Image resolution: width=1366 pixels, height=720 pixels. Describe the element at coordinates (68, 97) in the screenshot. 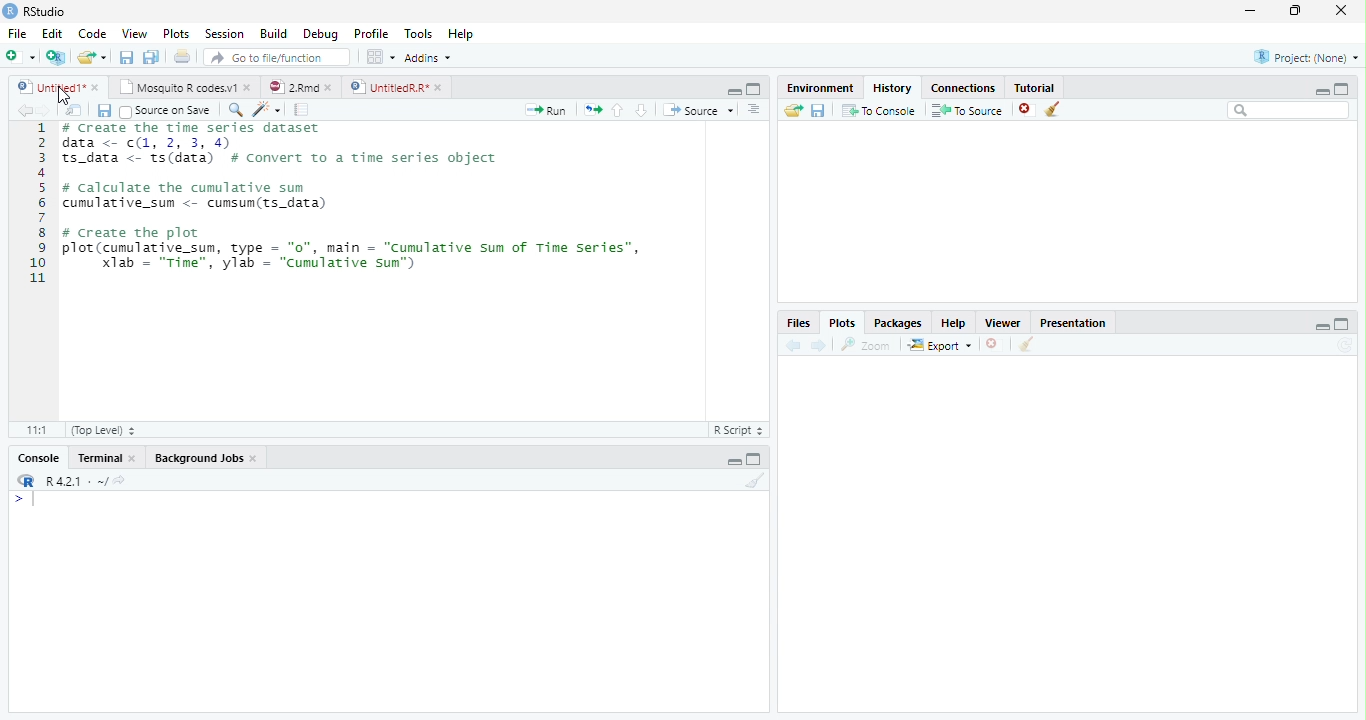

I see `Cursor` at that location.